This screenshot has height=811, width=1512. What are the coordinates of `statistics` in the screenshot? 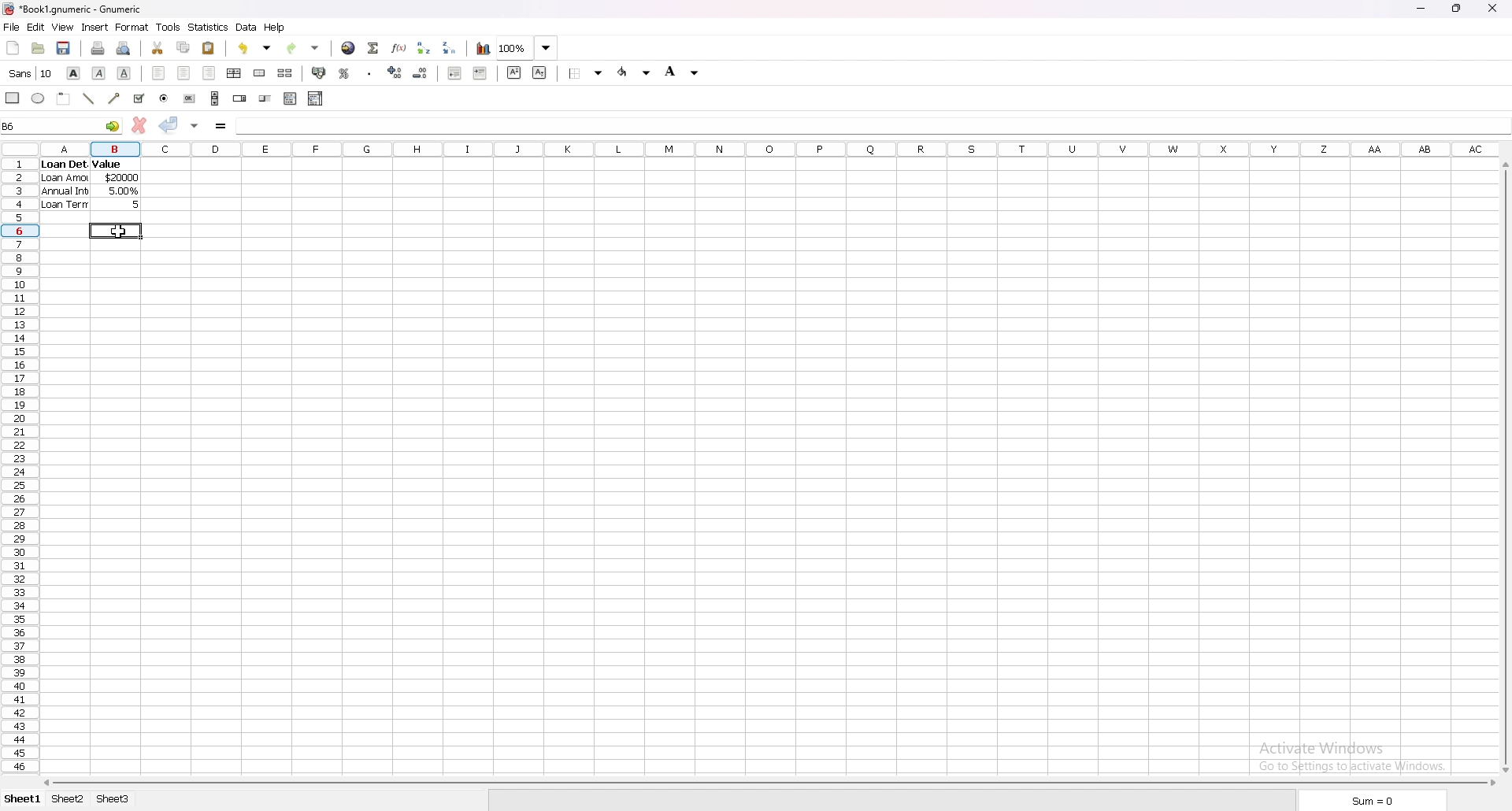 It's located at (209, 27).